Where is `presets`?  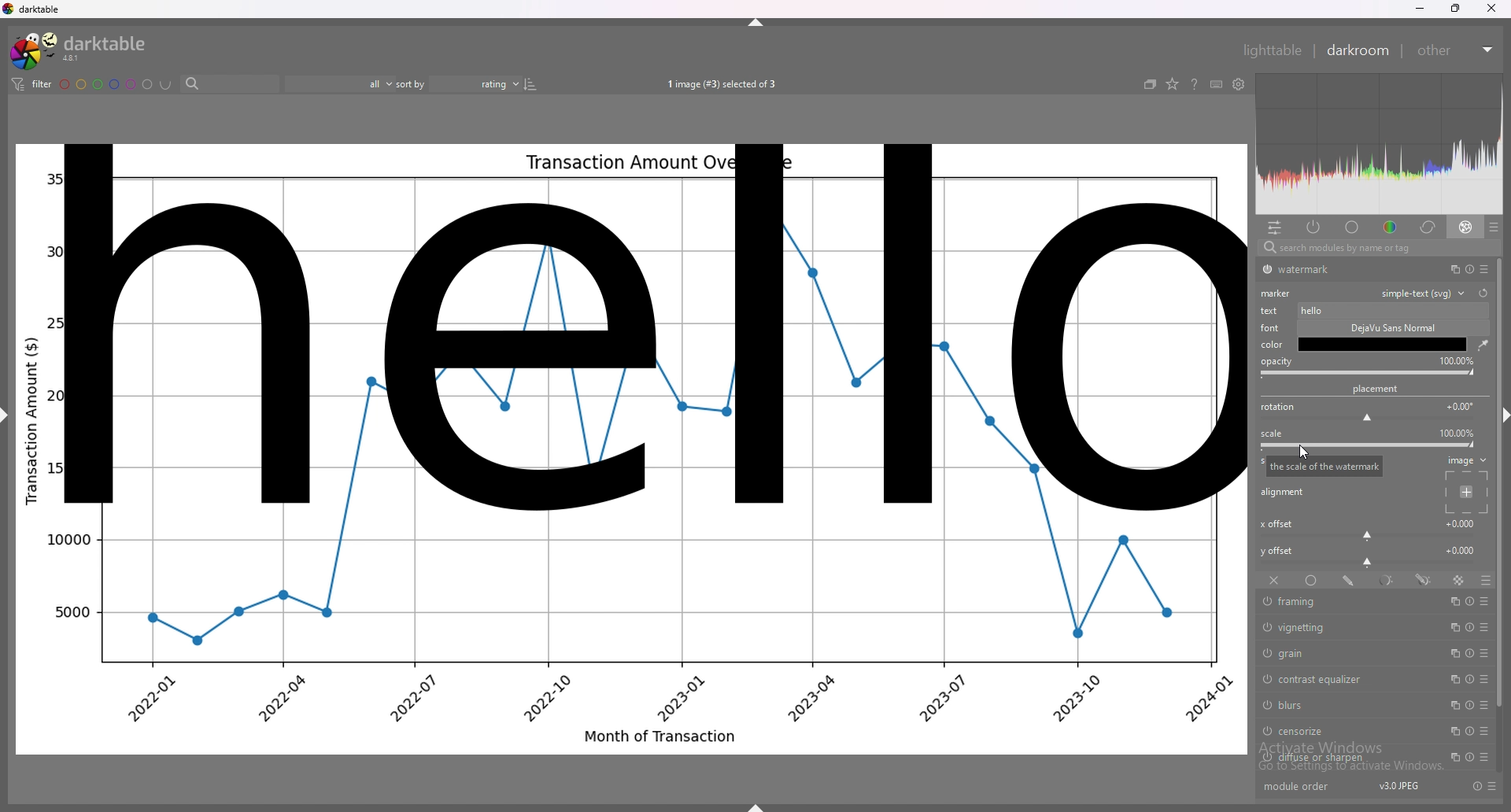 presets is located at coordinates (1486, 601).